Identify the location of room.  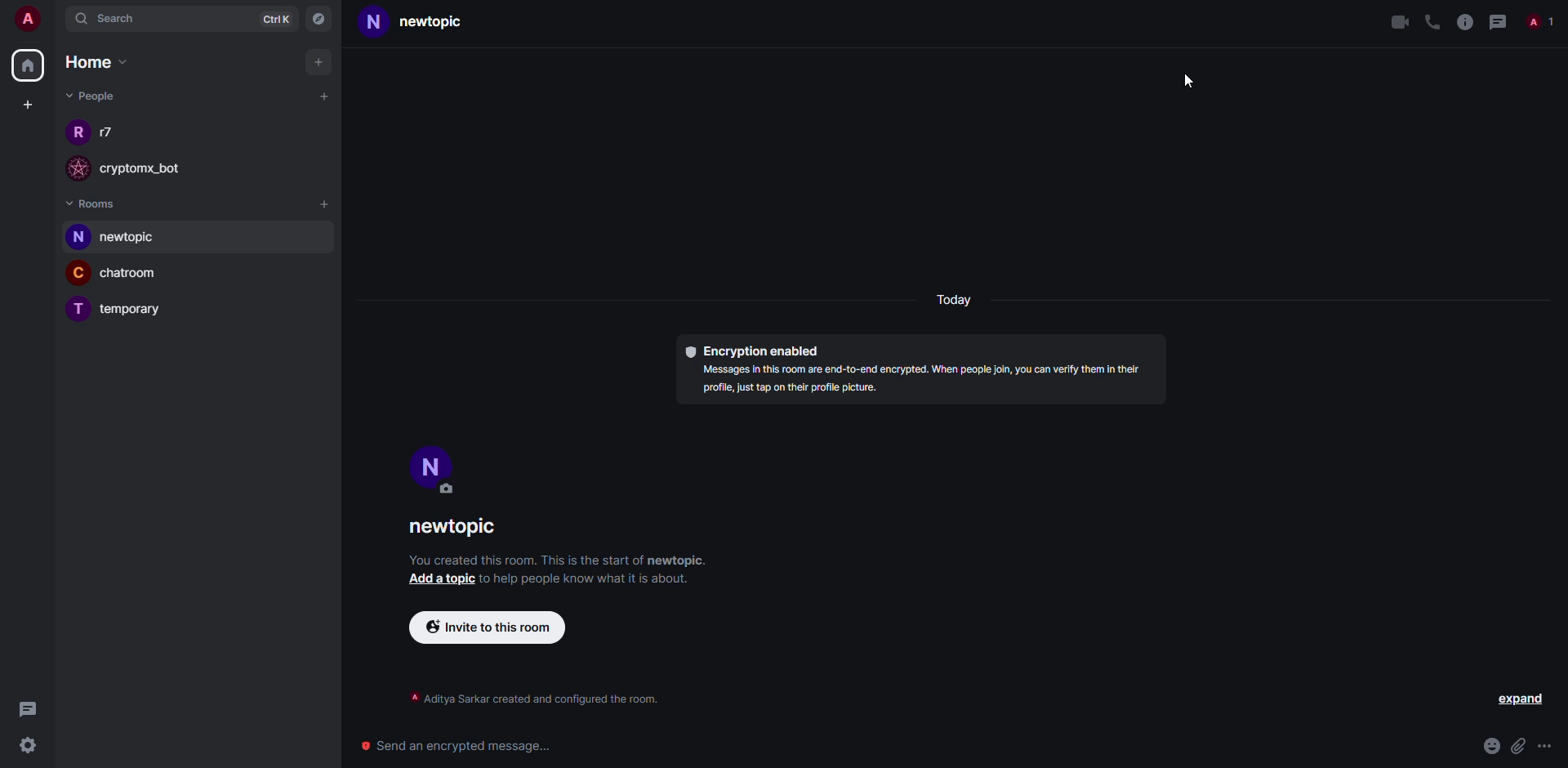
(123, 239).